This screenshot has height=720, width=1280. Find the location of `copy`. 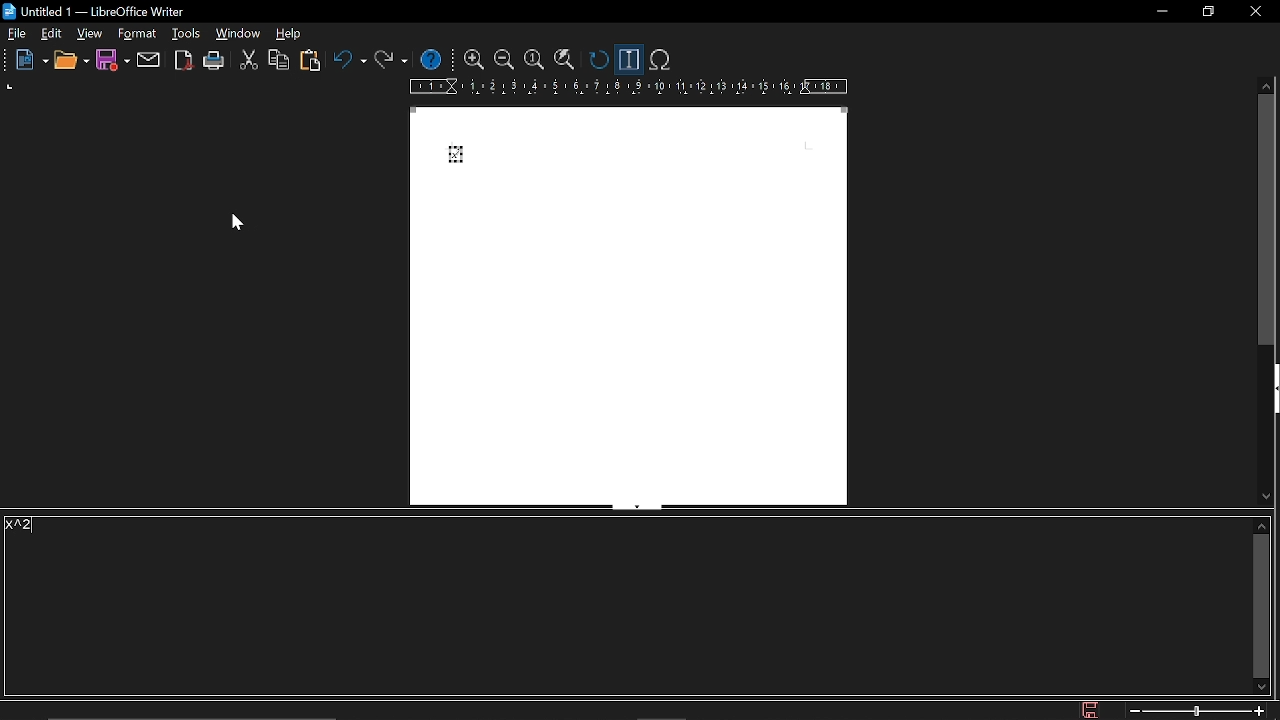

copy is located at coordinates (277, 60).